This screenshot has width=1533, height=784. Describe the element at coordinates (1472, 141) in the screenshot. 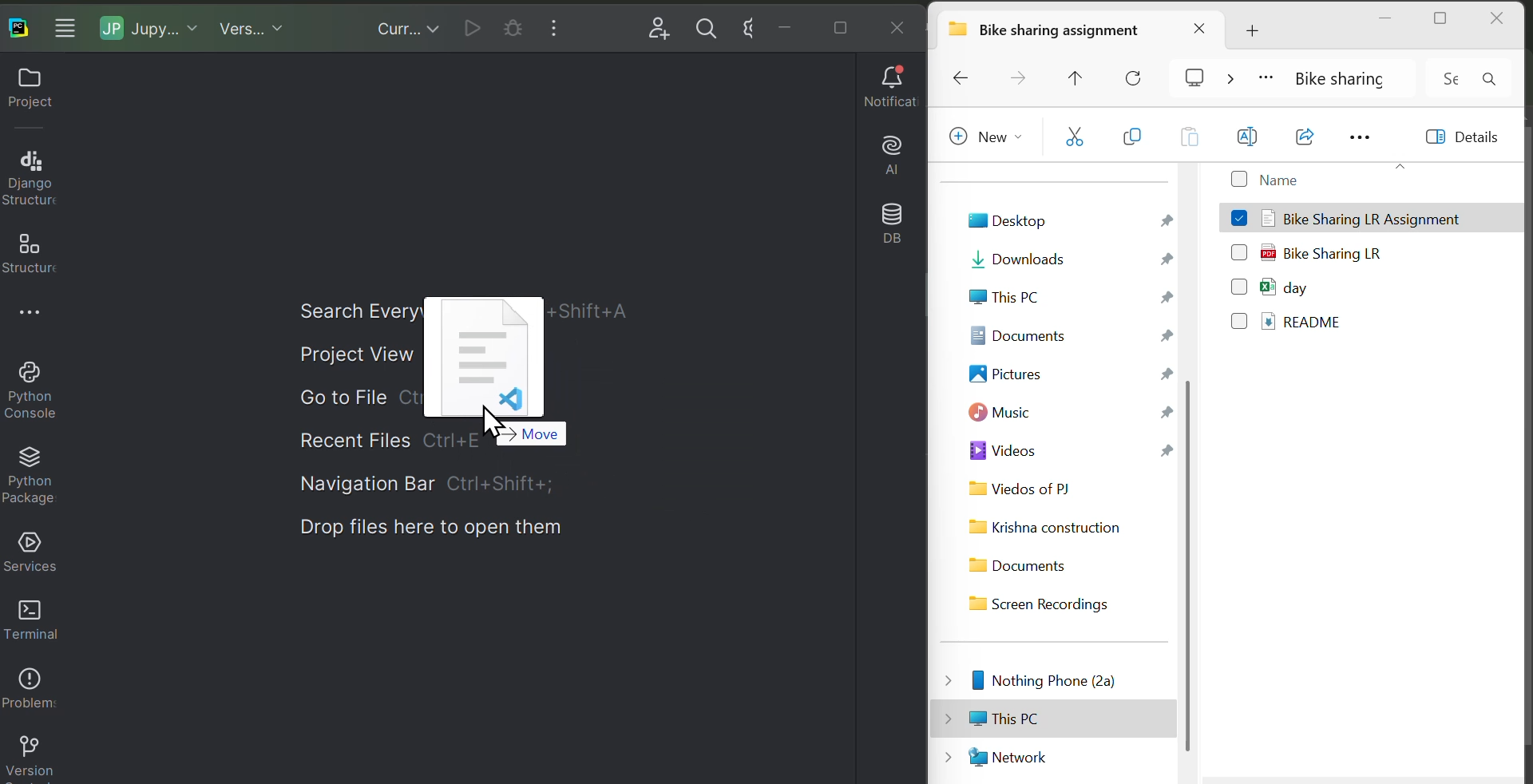

I see `Details` at that location.